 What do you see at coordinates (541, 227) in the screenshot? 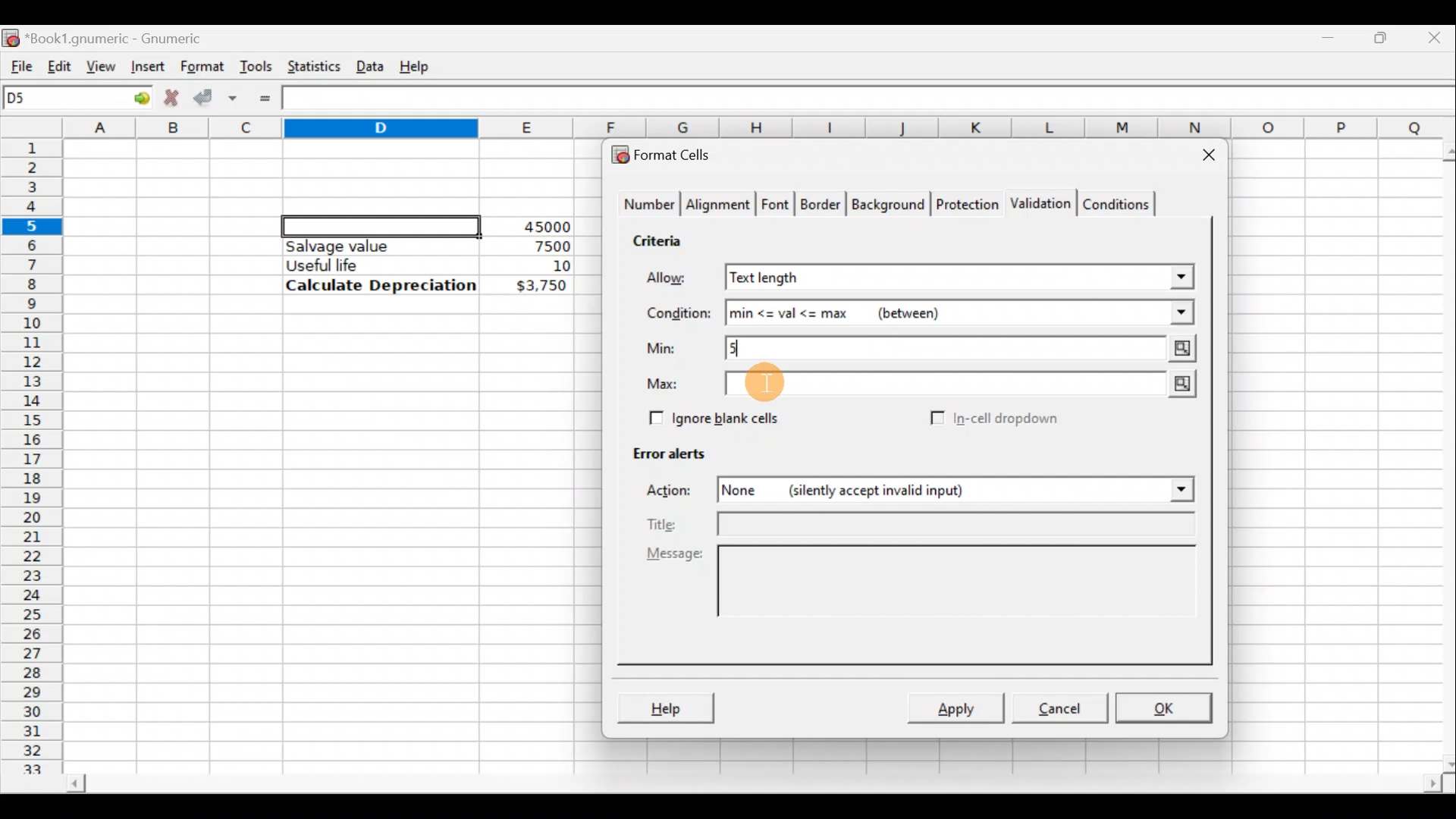
I see `45000` at bounding box center [541, 227].